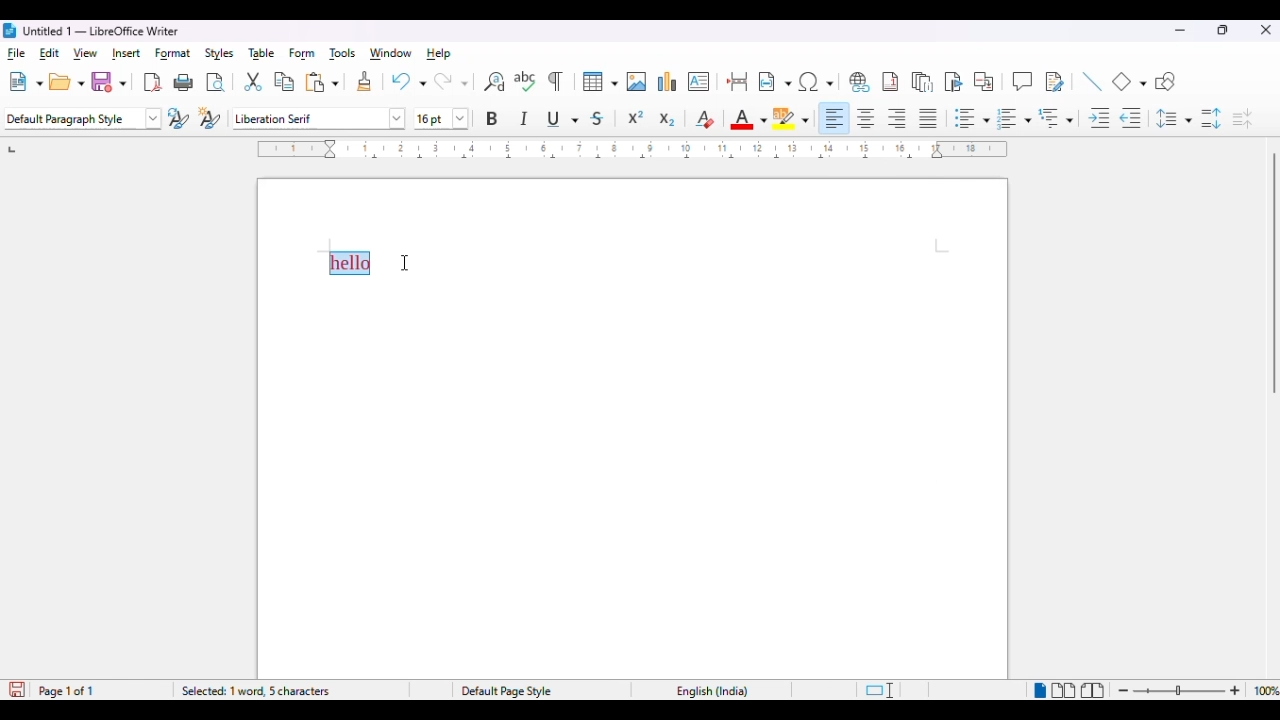 The height and width of the screenshot is (720, 1280). What do you see at coordinates (600, 82) in the screenshot?
I see `insert table` at bounding box center [600, 82].